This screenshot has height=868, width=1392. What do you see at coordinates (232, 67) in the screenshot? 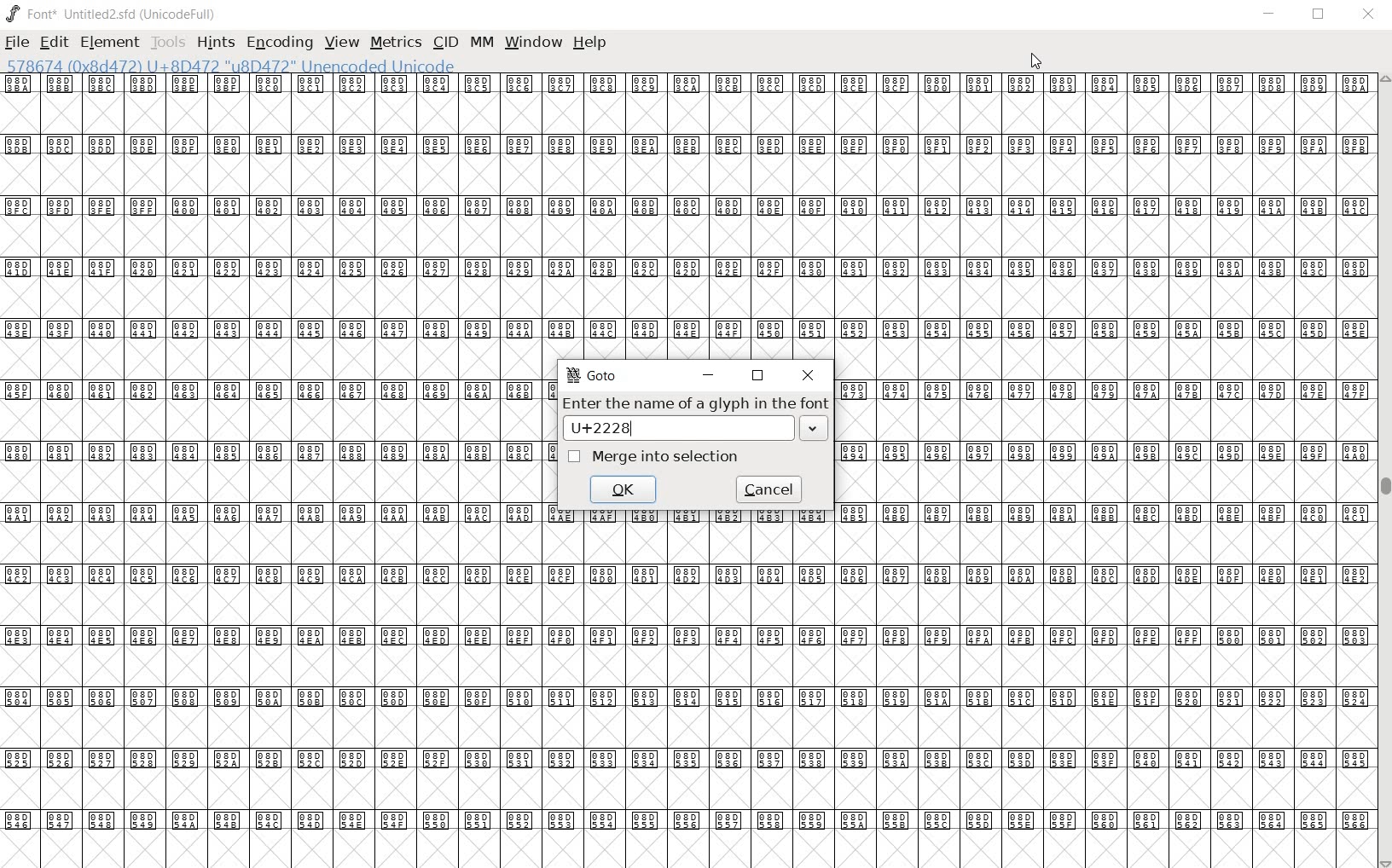
I see `578674 (0x8d472) U+80472 "u8D472" Unencoded Unicode` at bounding box center [232, 67].